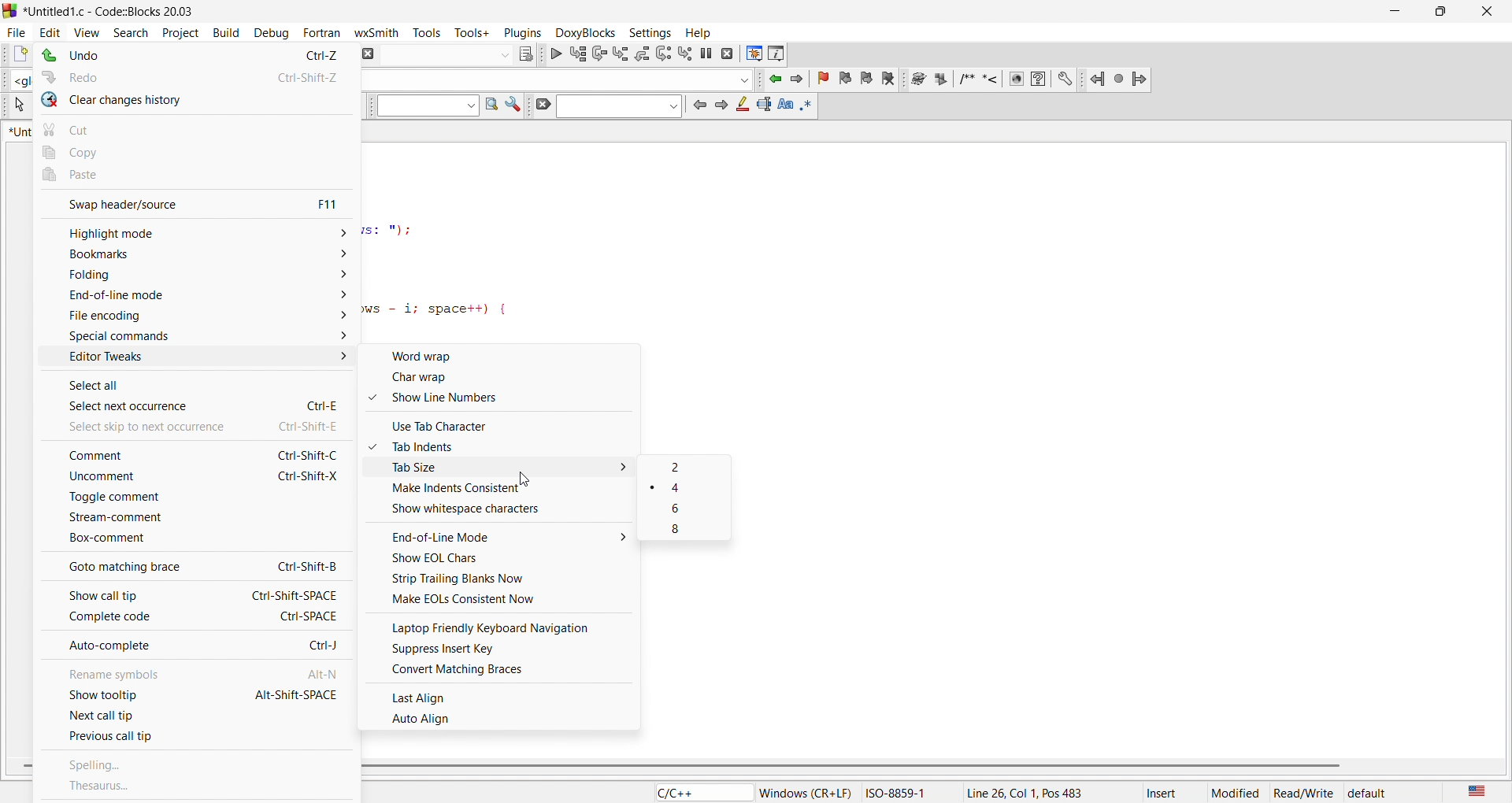  I want to click on icon, so click(721, 107).